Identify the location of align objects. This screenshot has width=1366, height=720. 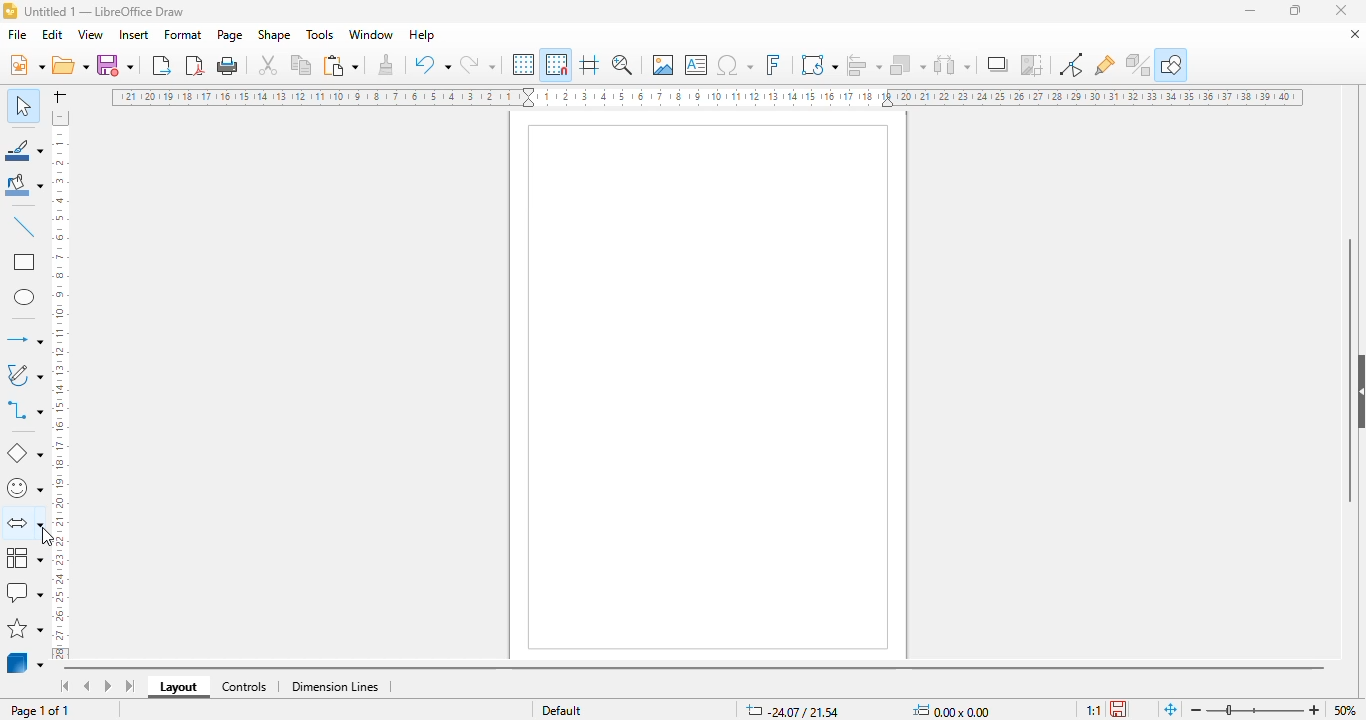
(864, 65).